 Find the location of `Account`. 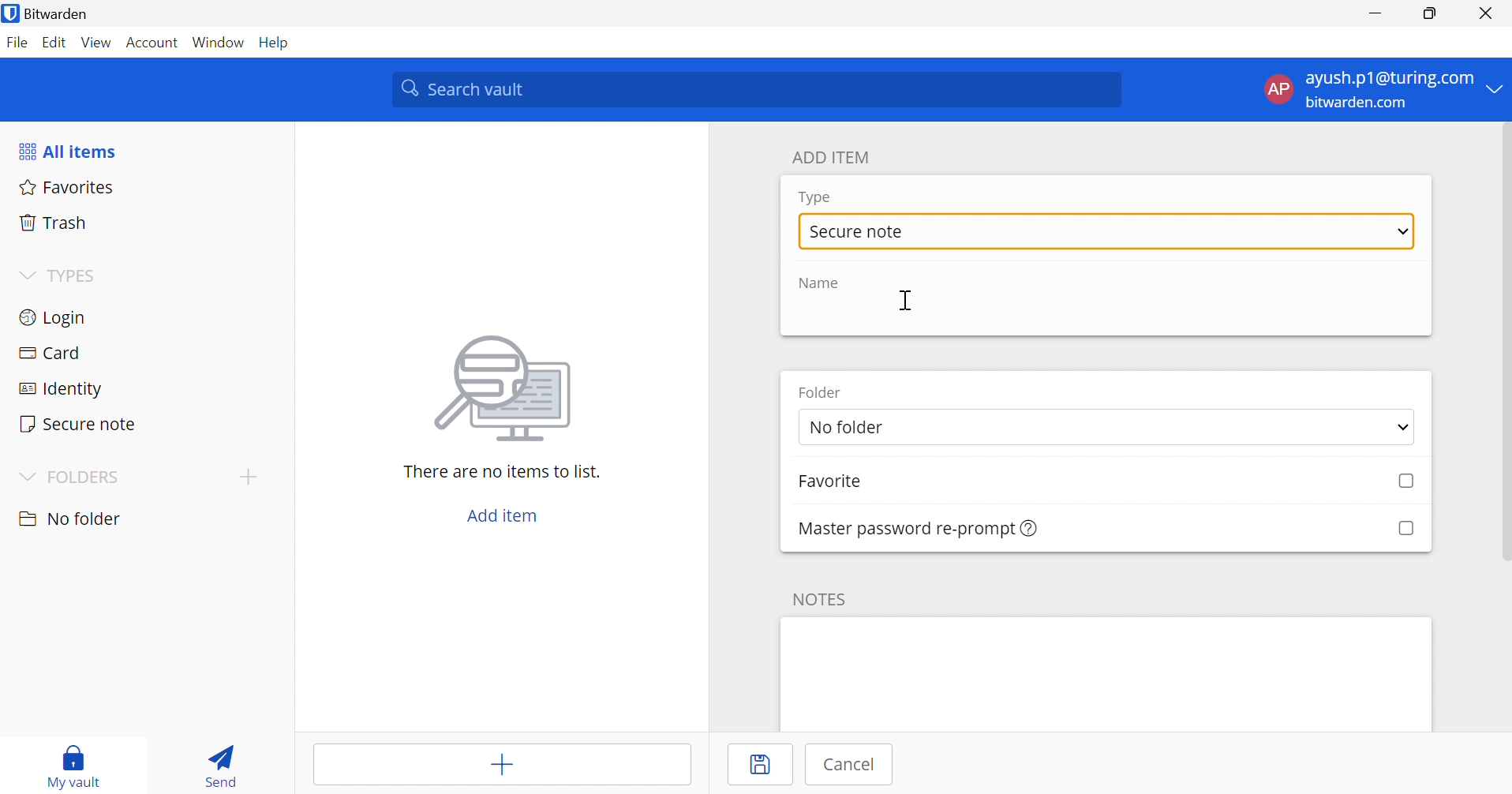

Account is located at coordinates (152, 43).